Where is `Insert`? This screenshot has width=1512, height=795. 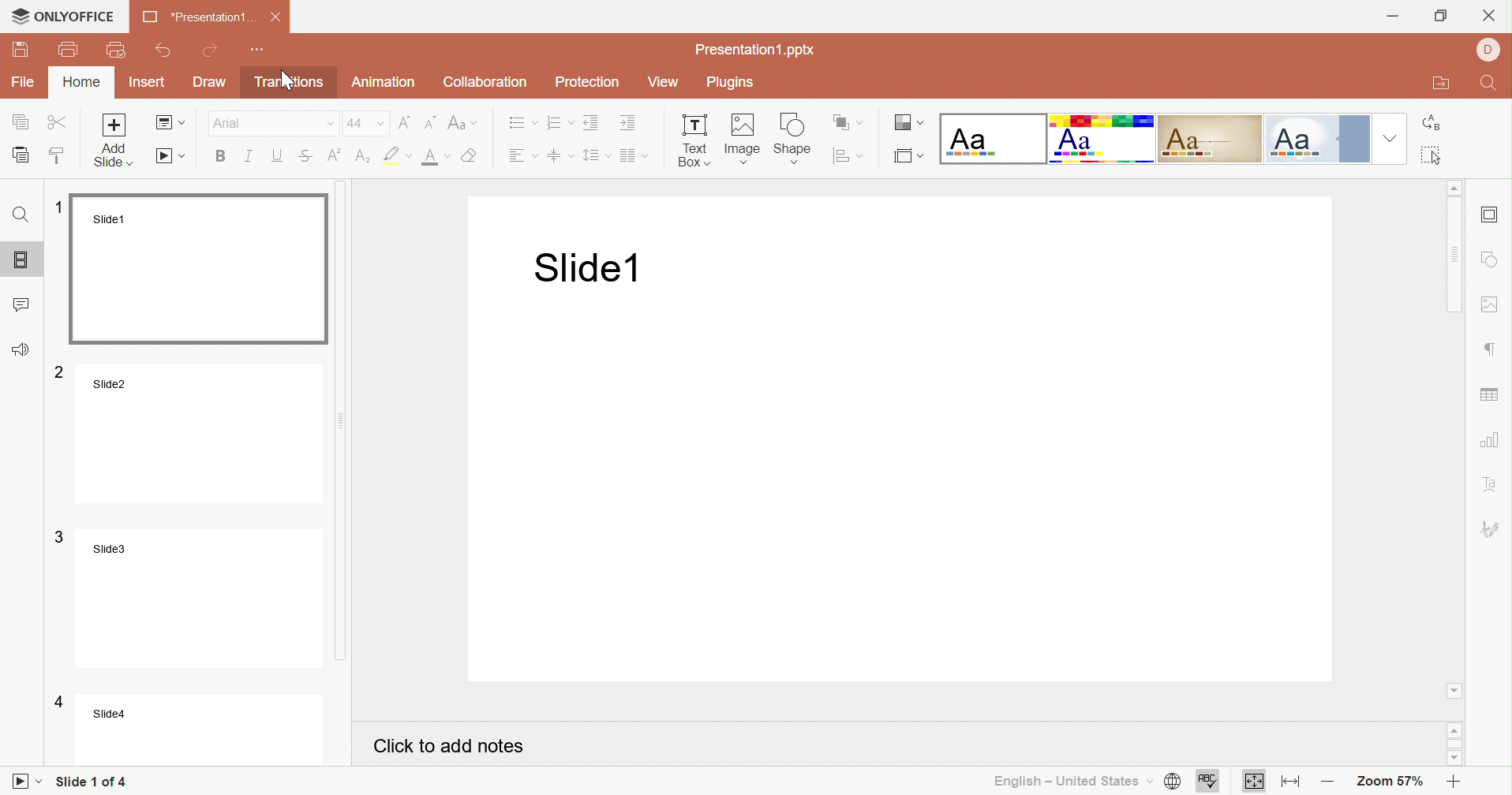
Insert is located at coordinates (148, 82).